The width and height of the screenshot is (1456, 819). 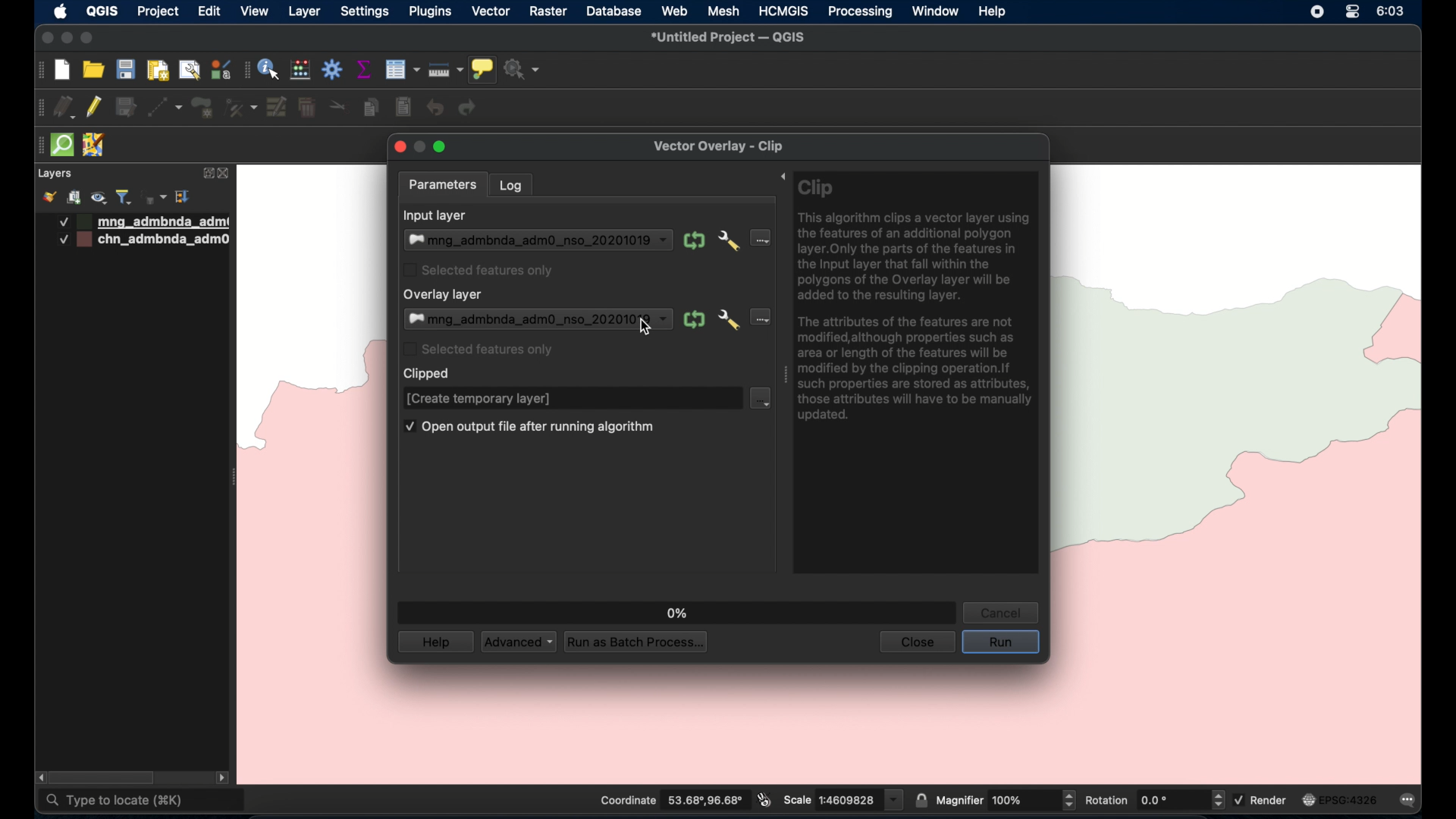 I want to click on paste features, so click(x=404, y=108).